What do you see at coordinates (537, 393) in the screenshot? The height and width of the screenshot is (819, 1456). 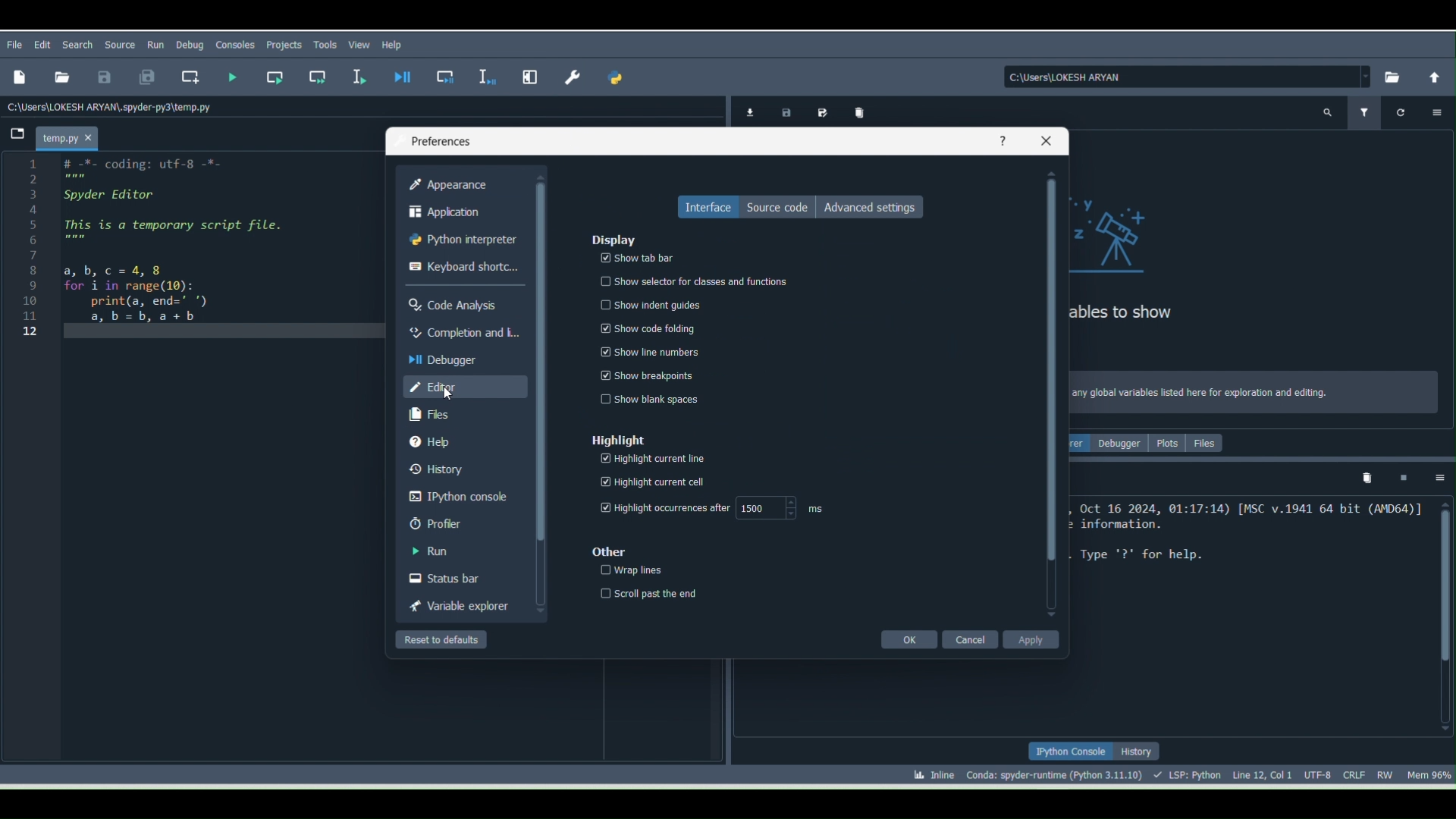 I see `Scrollbar` at bounding box center [537, 393].